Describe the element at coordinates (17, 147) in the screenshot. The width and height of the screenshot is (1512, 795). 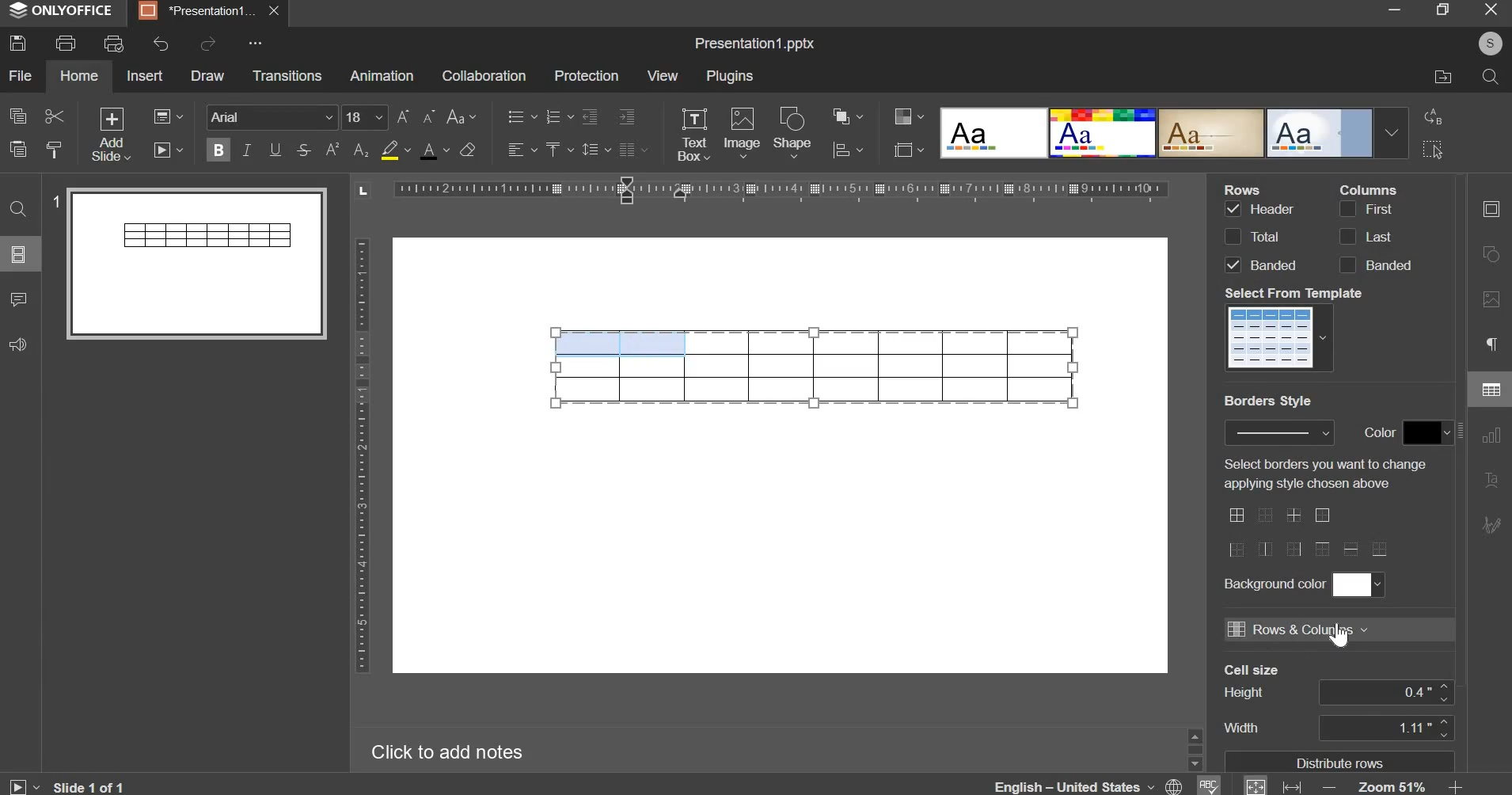
I see `paste` at that location.